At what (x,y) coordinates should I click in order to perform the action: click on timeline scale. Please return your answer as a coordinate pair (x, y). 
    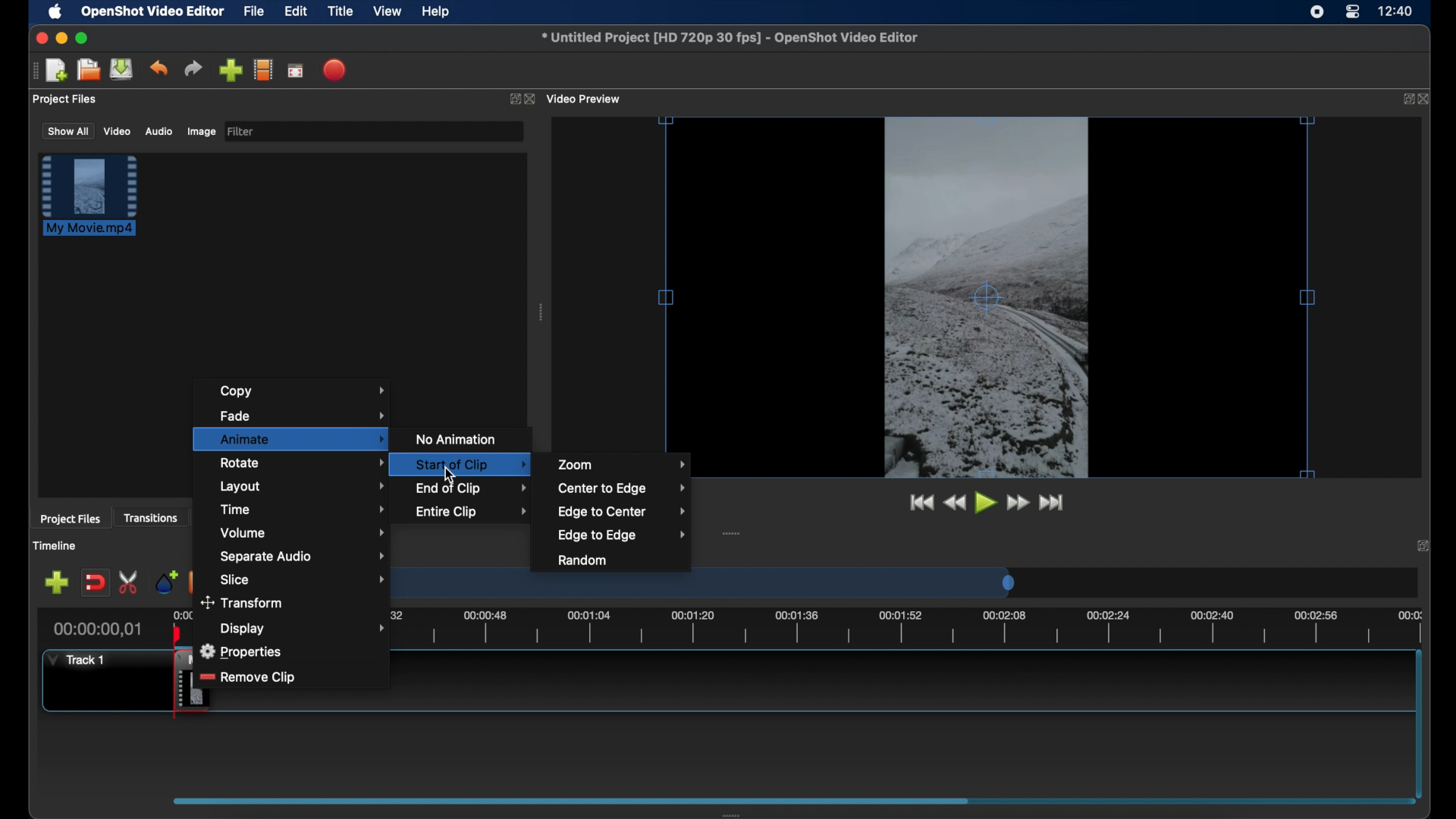
    Looking at the image, I should click on (863, 631).